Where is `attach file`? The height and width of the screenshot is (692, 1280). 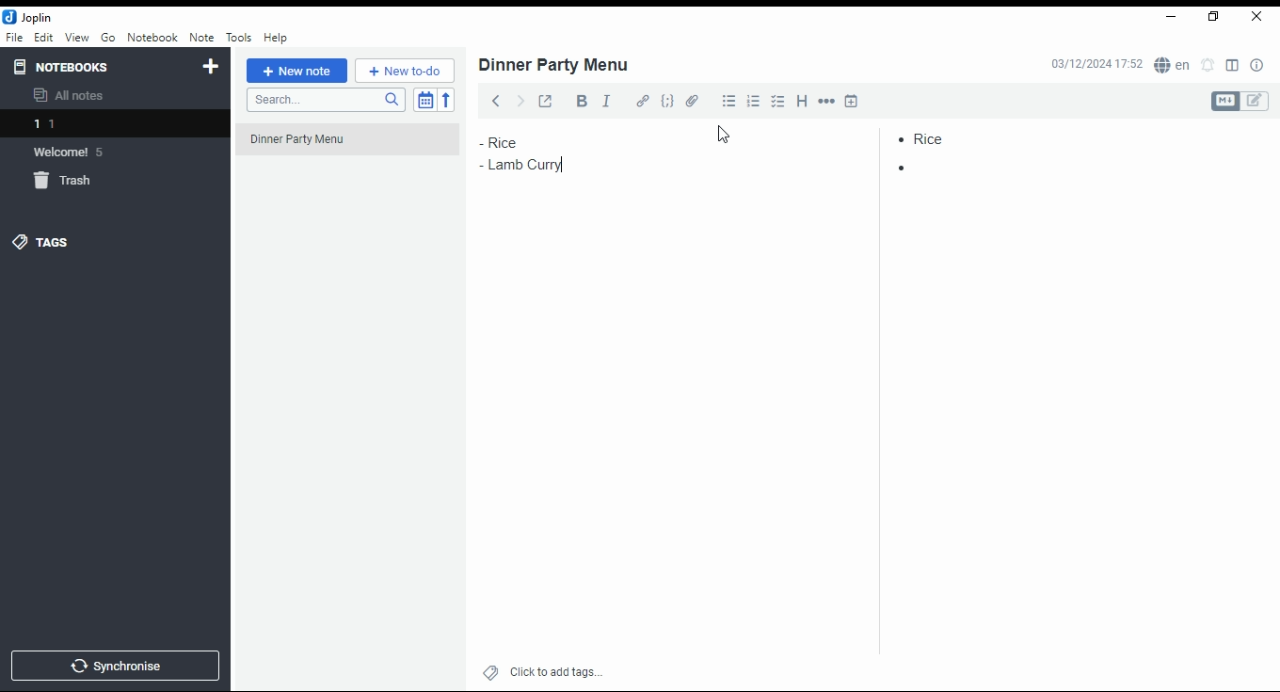
attach file is located at coordinates (695, 100).